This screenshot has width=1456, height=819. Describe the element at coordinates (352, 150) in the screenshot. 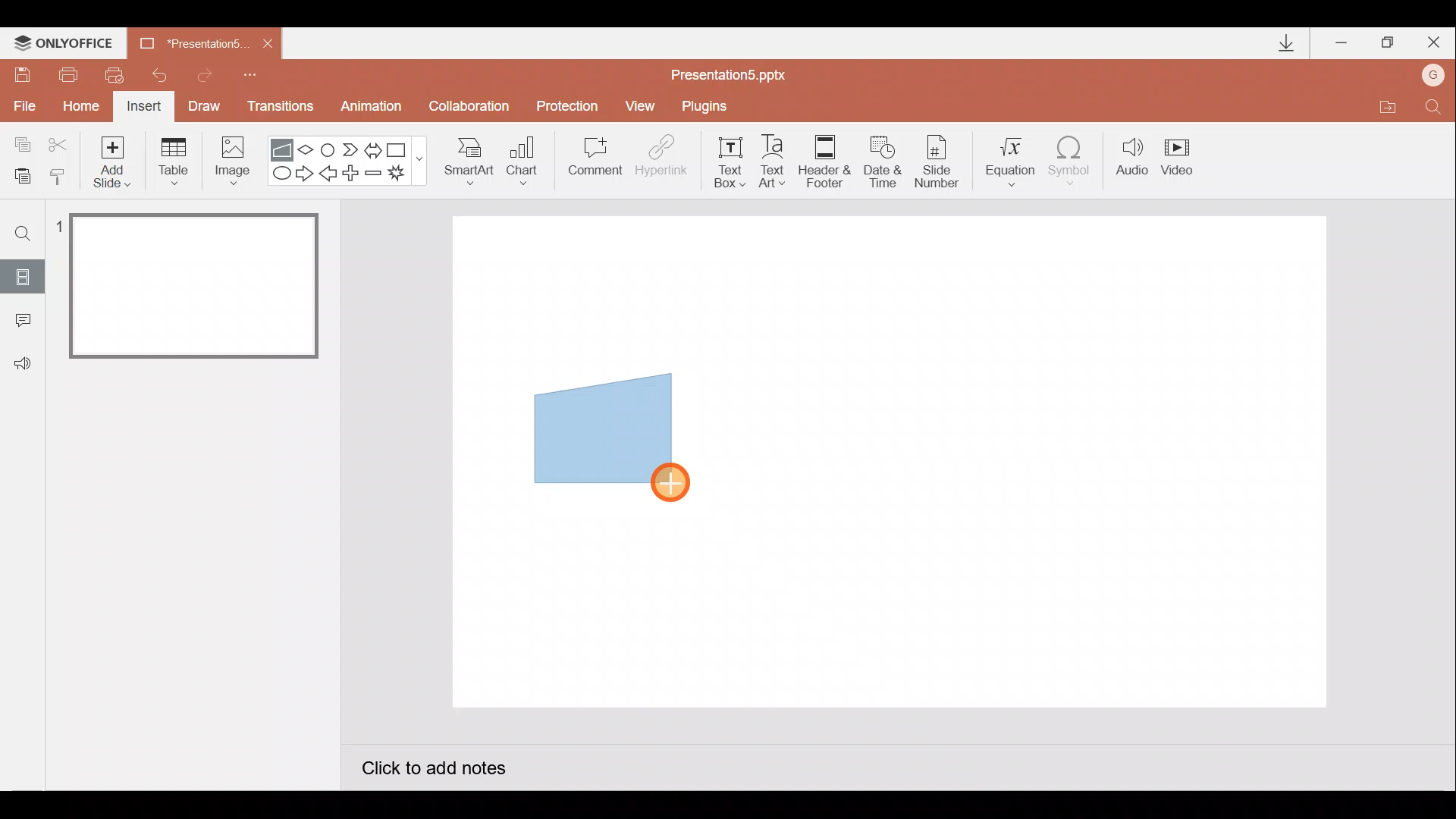

I see `Chevron` at that location.